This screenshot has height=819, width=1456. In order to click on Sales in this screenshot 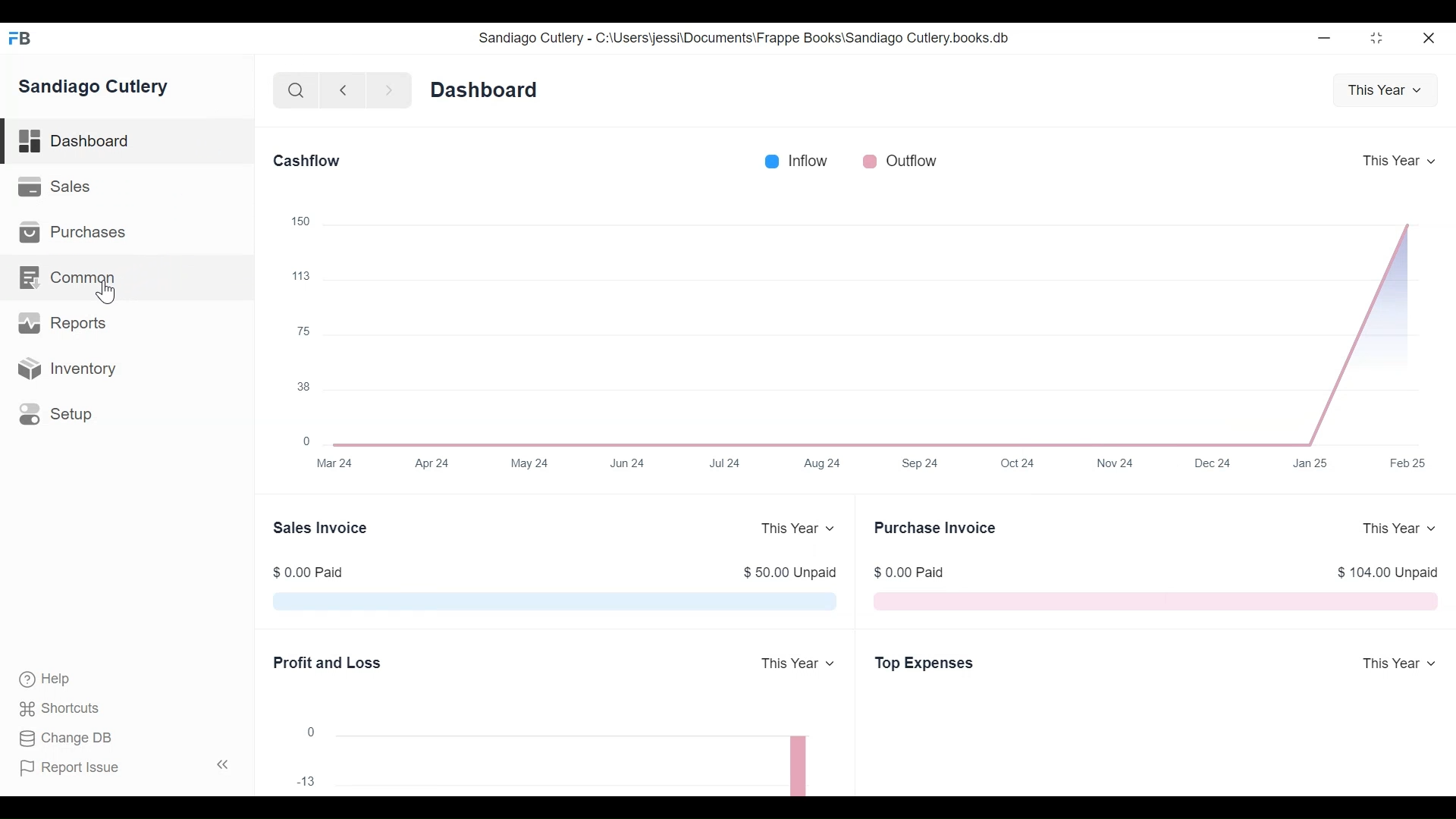, I will do `click(53, 188)`.